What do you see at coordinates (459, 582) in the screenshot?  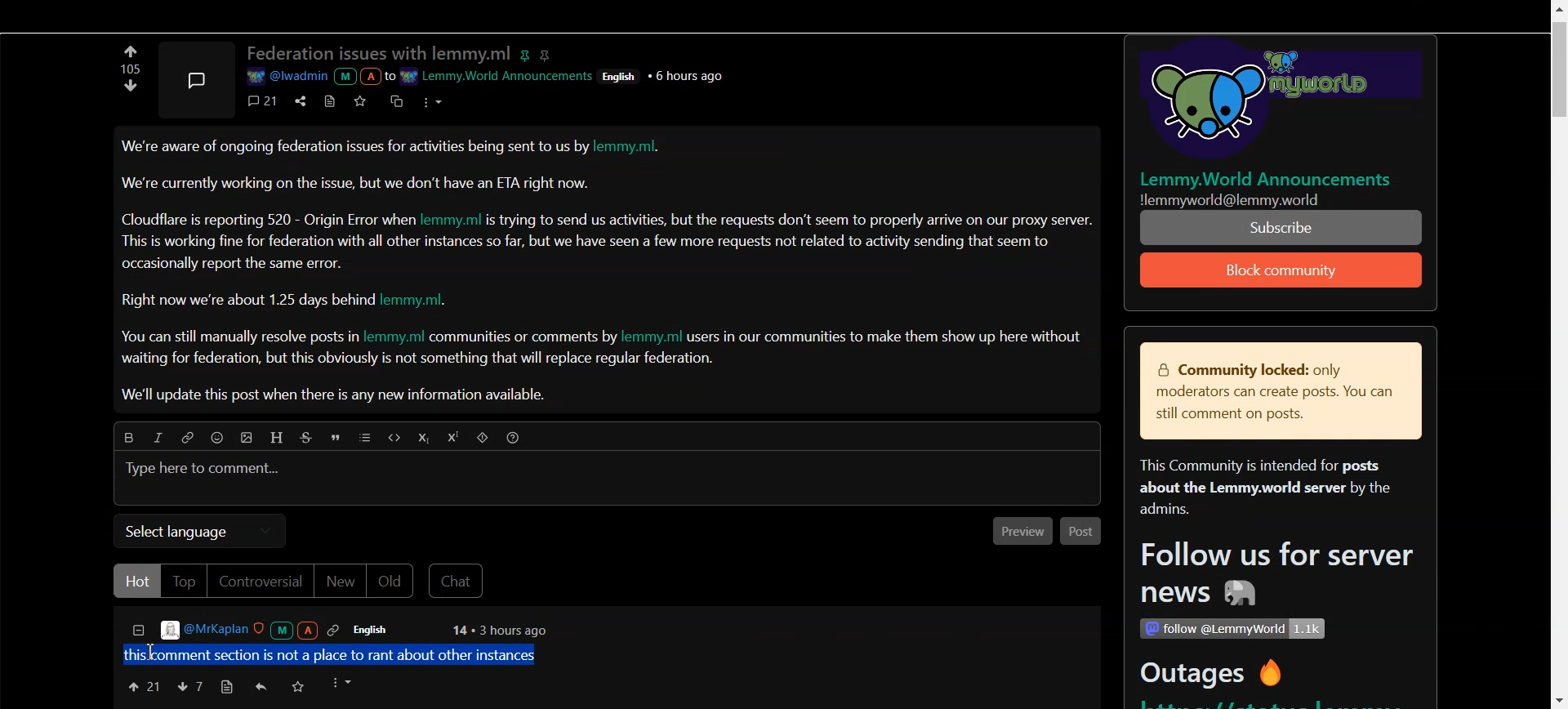 I see `Chat` at bounding box center [459, 582].